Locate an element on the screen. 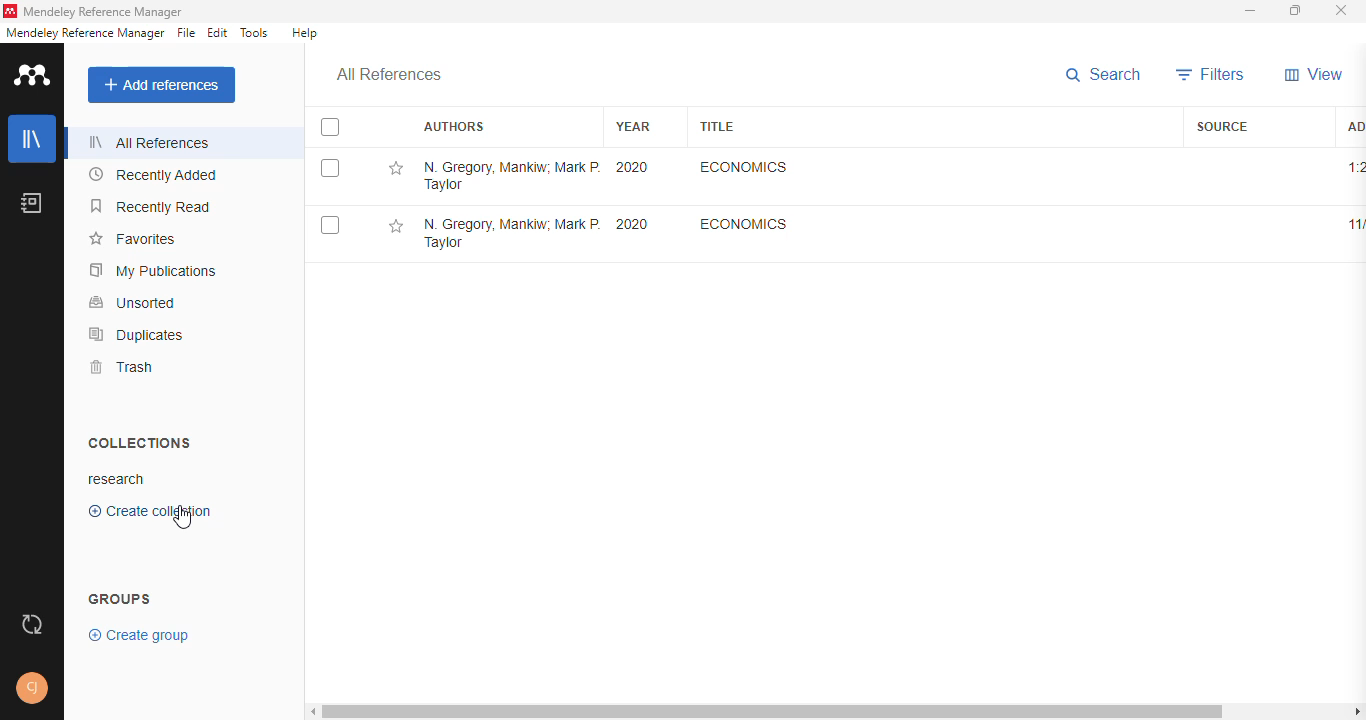 The height and width of the screenshot is (720, 1366). research is located at coordinates (117, 479).